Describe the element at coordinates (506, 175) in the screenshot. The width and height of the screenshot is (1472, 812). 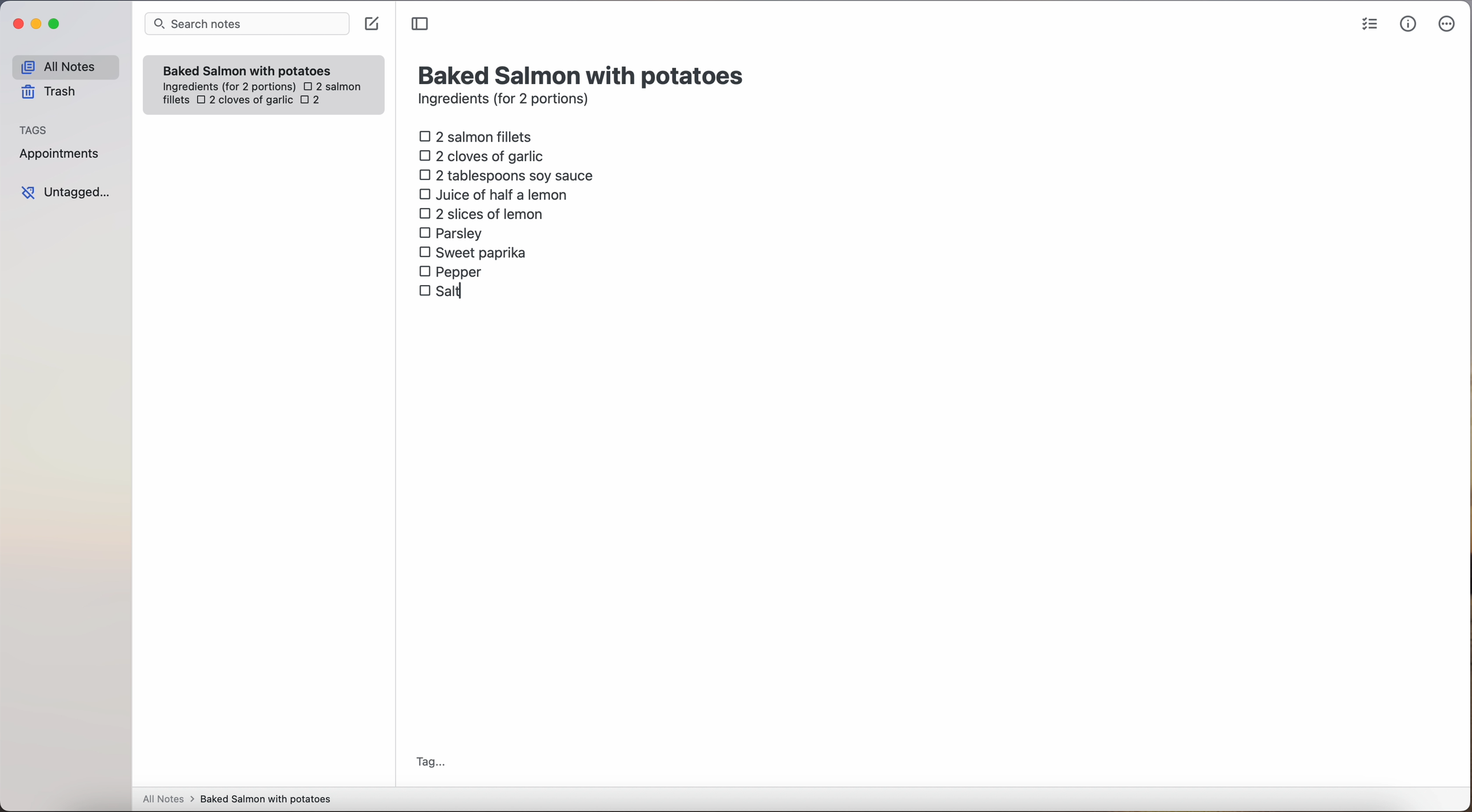
I see `2 tablespoons soy sauce` at that location.